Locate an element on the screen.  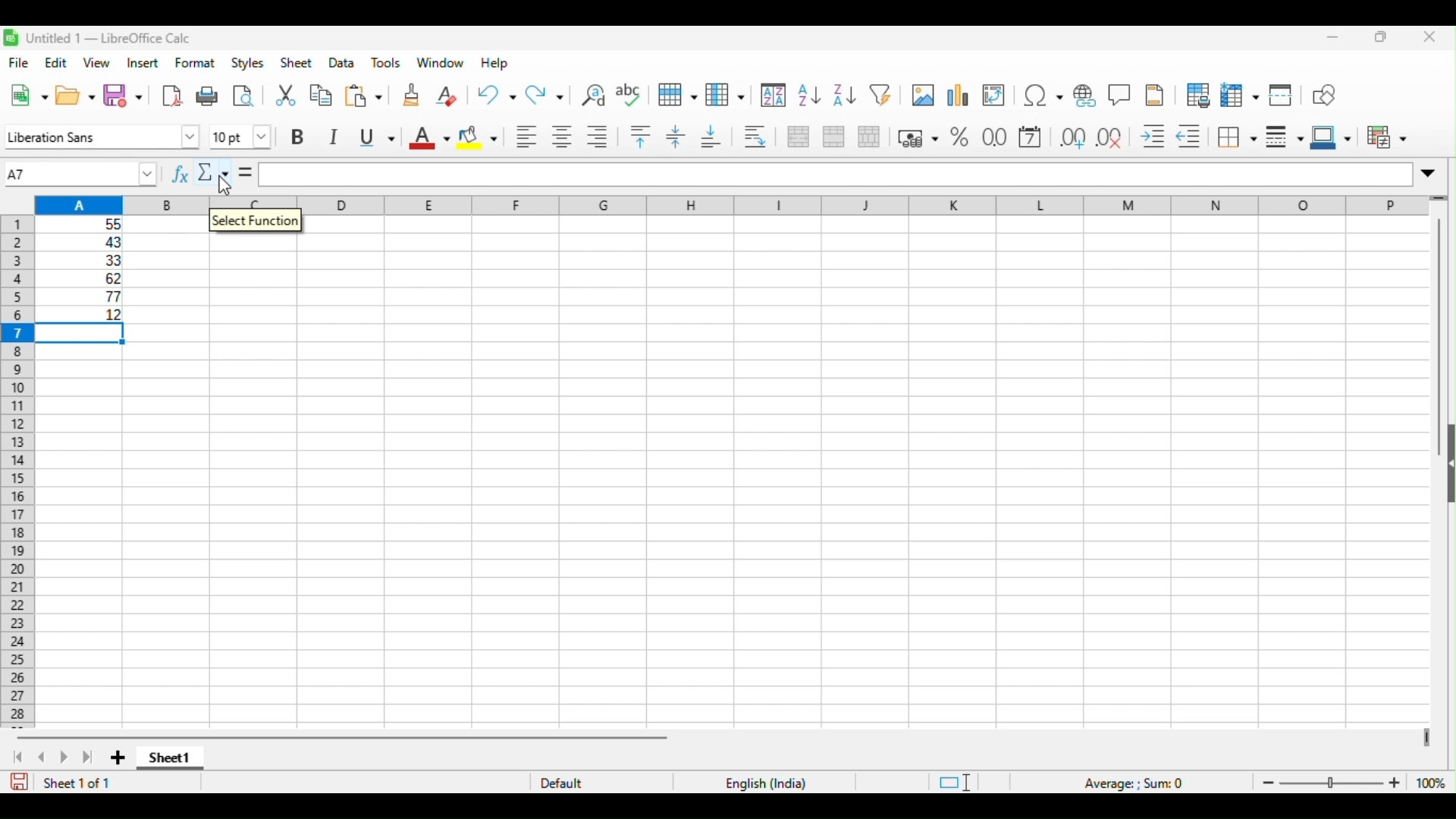
tools is located at coordinates (387, 63).